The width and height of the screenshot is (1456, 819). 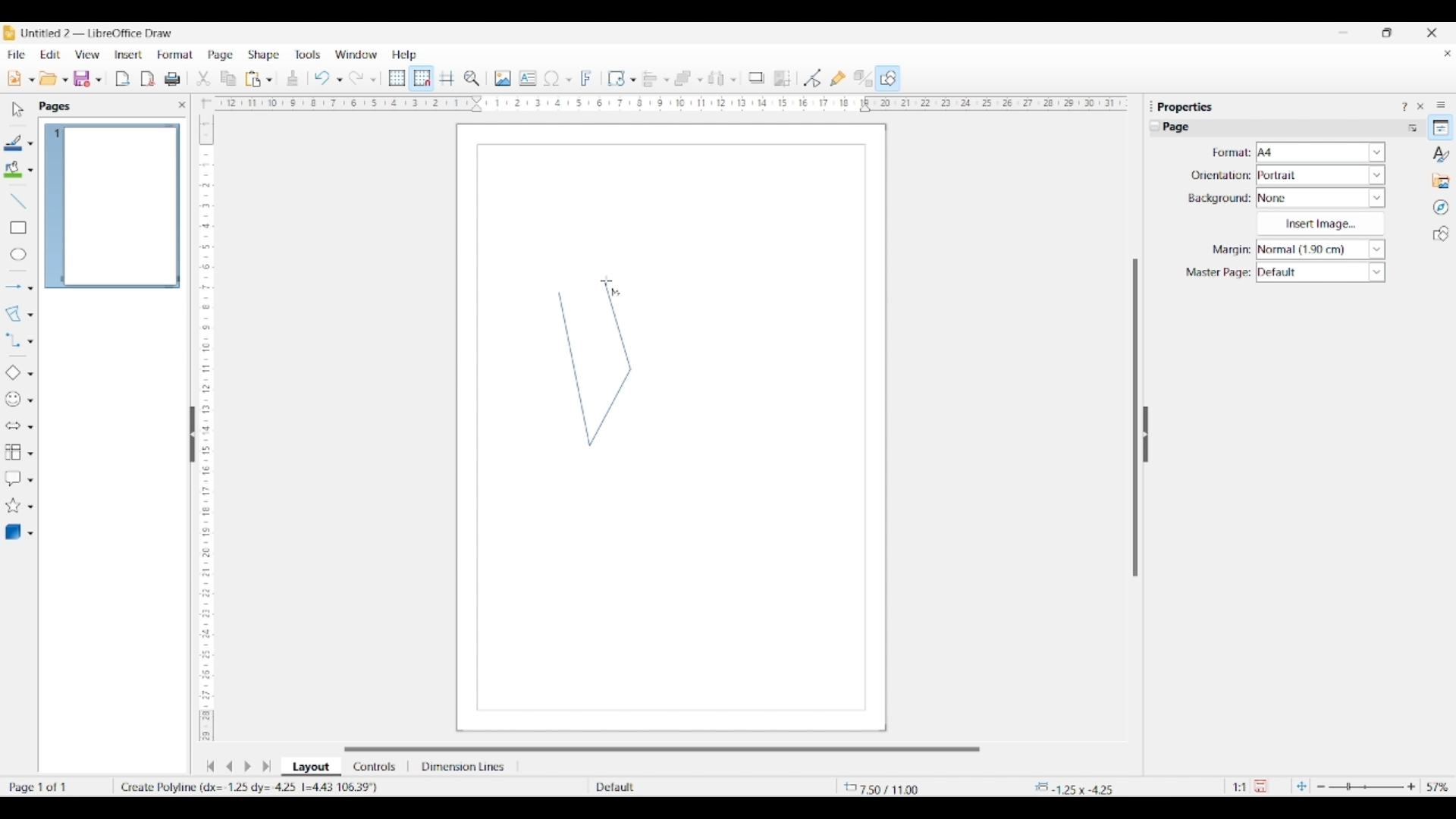 I want to click on Paste options, so click(x=269, y=80).